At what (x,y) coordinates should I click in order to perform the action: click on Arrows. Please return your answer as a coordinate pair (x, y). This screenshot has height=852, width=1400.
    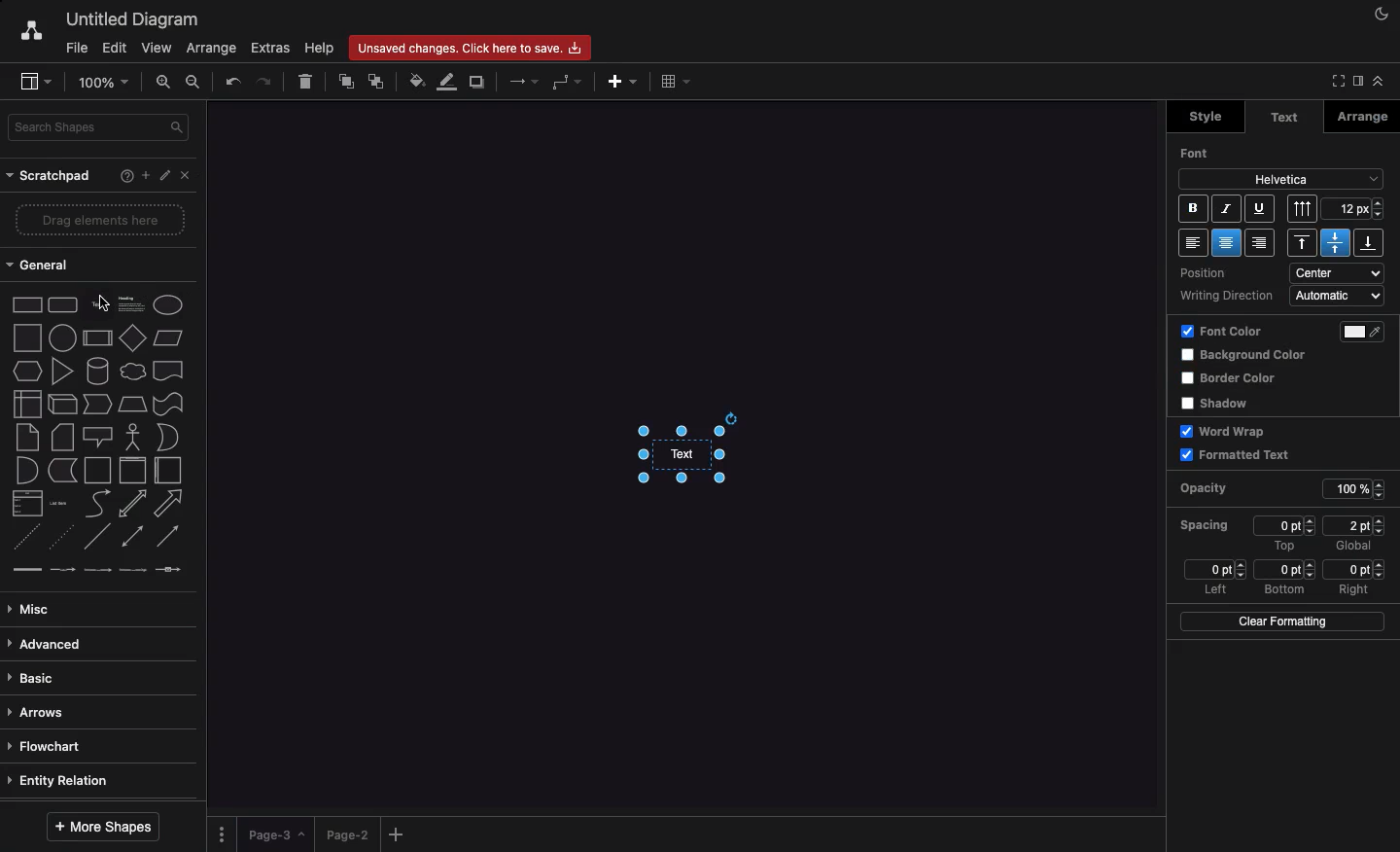
    Looking at the image, I should click on (521, 83).